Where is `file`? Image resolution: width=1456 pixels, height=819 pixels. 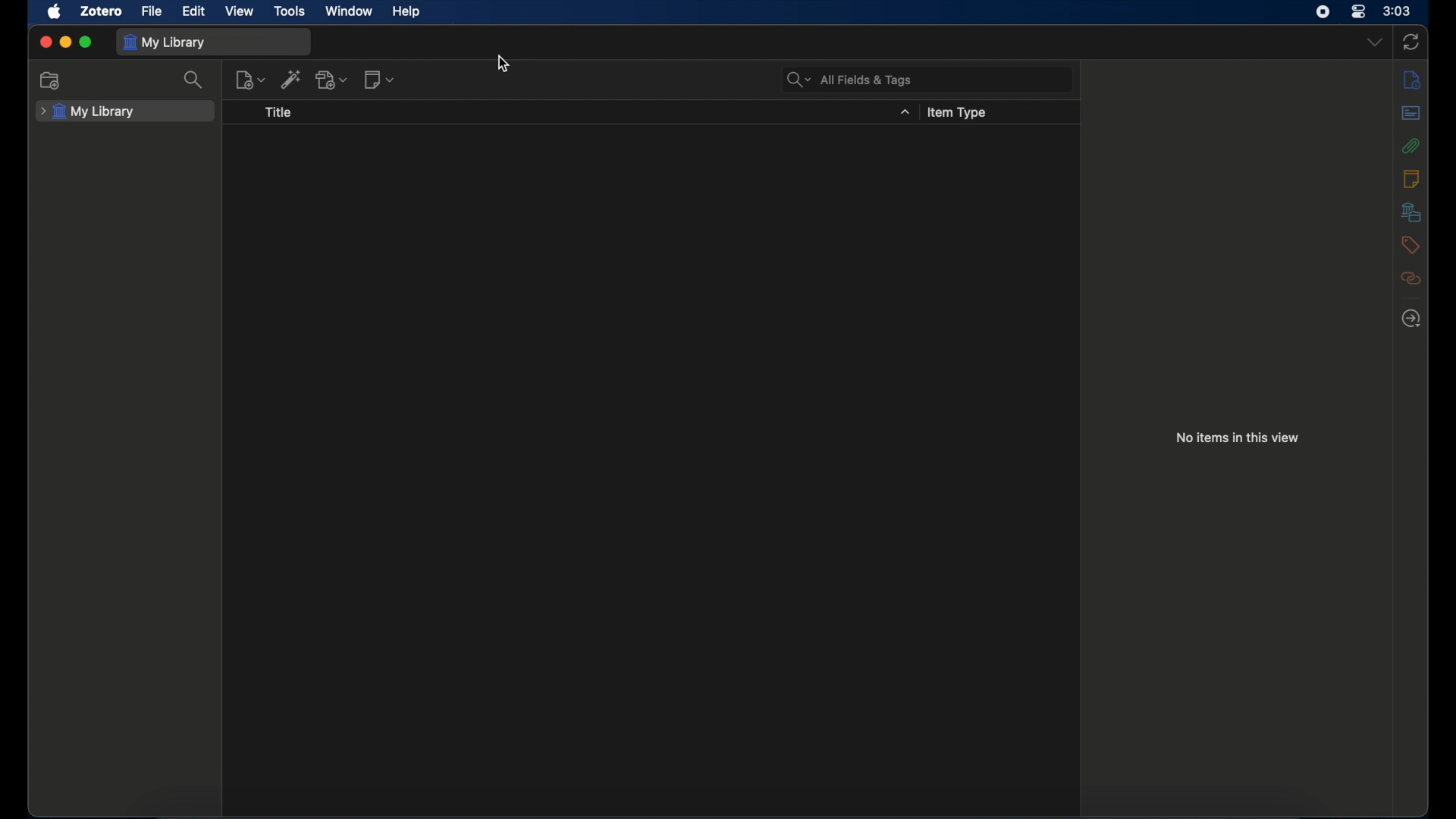 file is located at coordinates (152, 11).